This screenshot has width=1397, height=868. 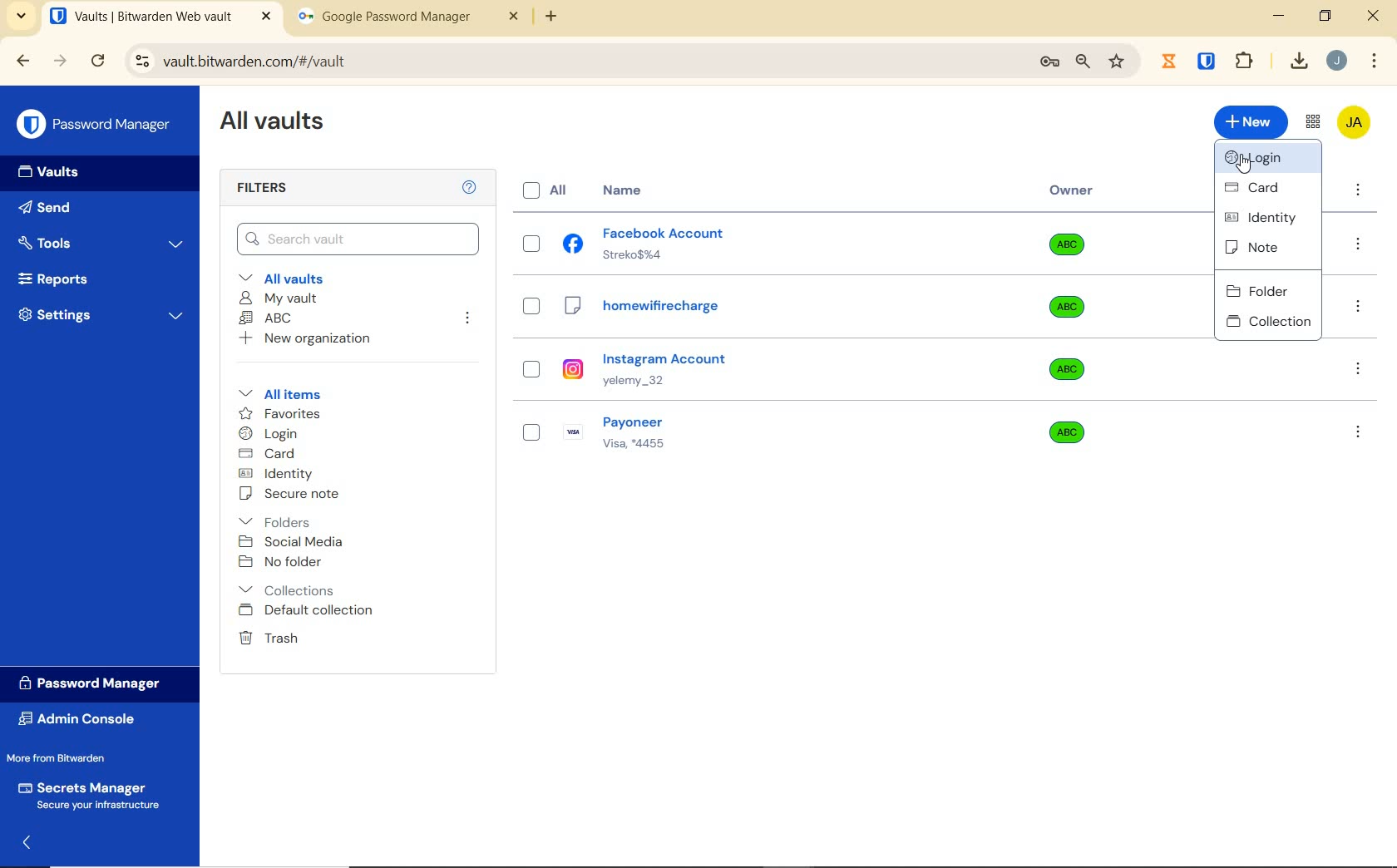 I want to click on close, so click(x=1375, y=16).